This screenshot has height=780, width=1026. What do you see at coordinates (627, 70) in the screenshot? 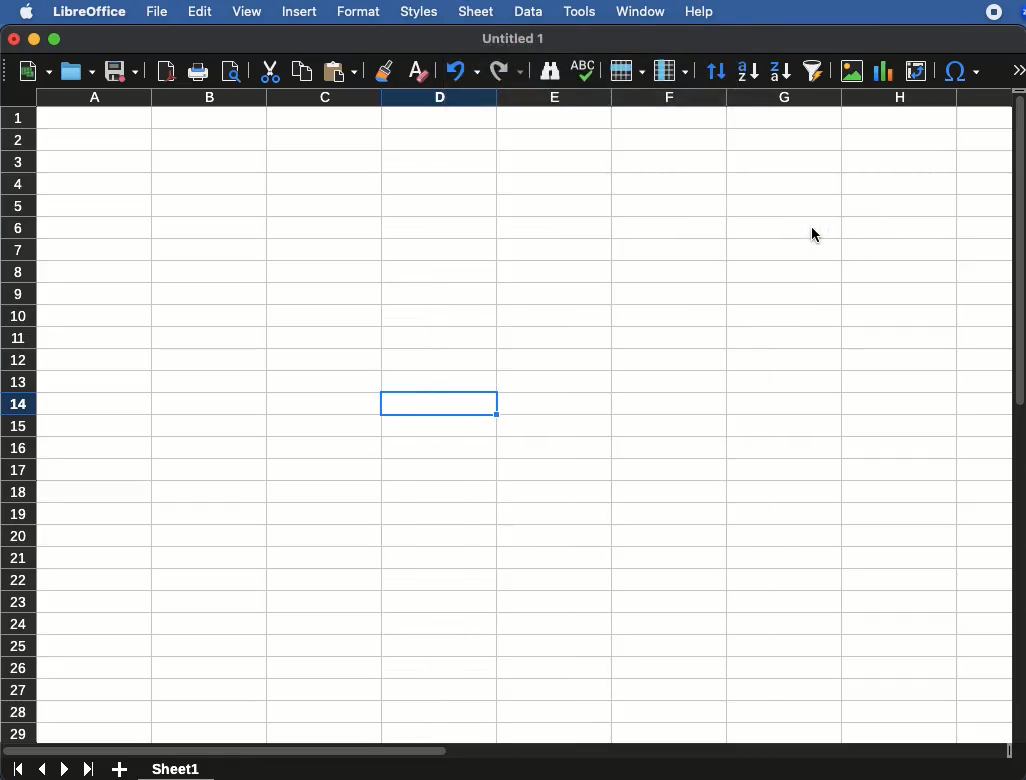
I see `row` at bounding box center [627, 70].